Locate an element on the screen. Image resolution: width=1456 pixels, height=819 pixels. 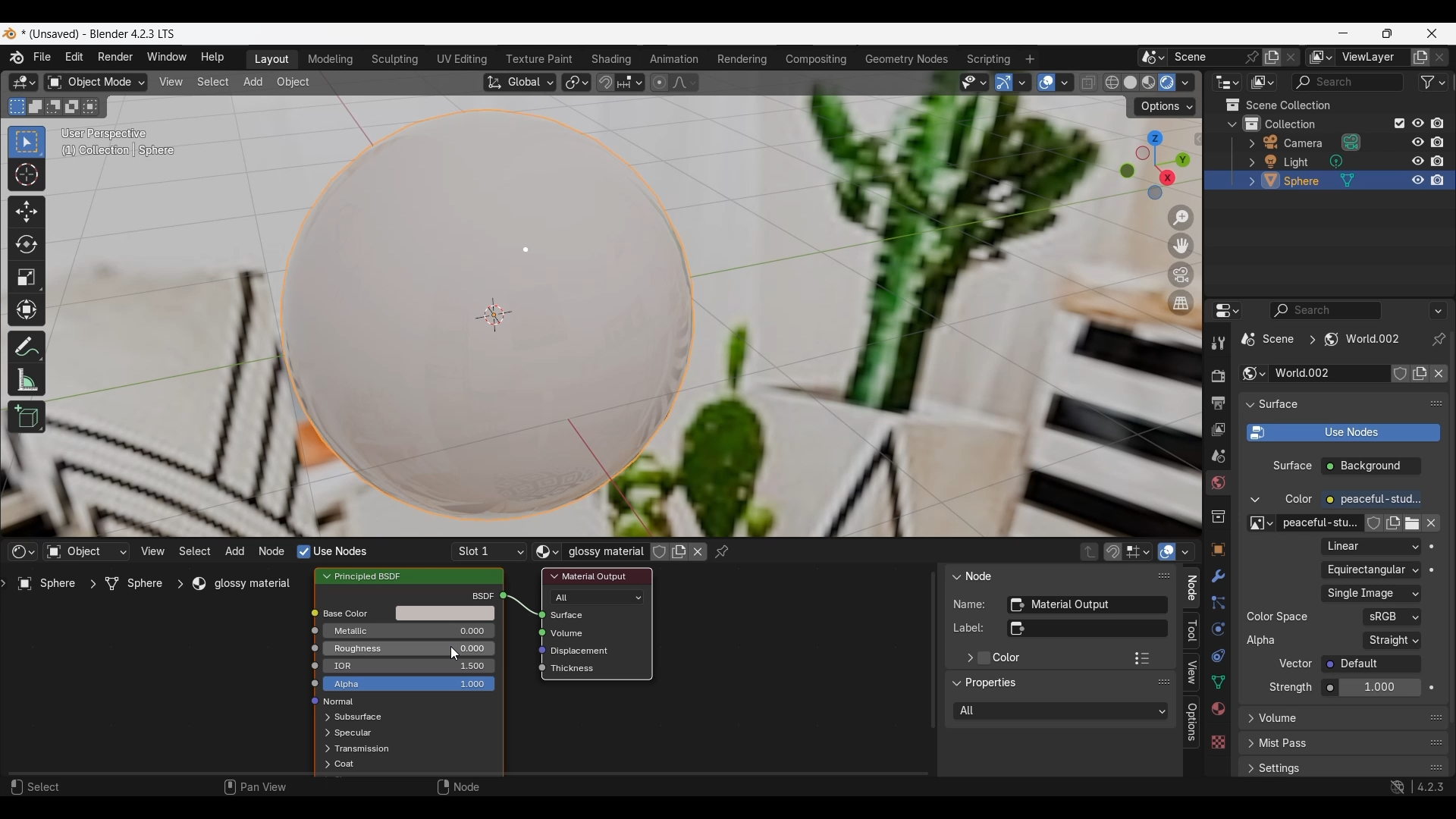
Transform pivot point is located at coordinates (576, 83).